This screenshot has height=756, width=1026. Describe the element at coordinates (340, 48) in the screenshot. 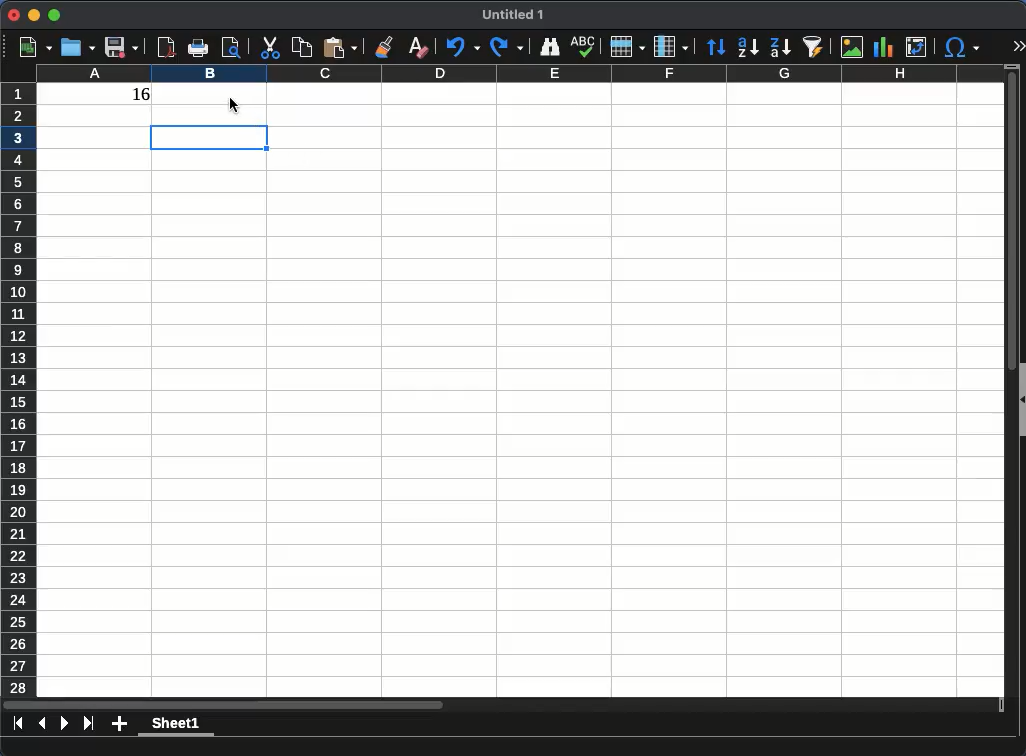

I see `paste` at that location.